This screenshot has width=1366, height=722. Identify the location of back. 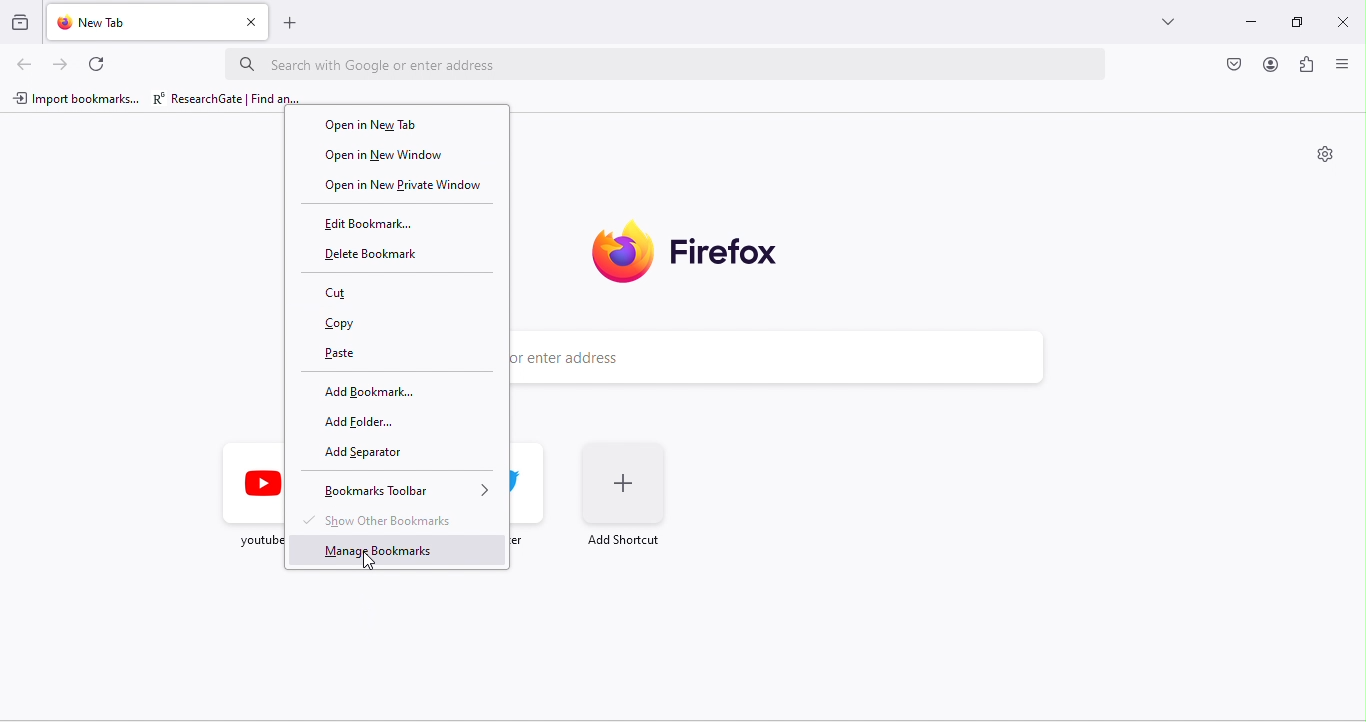
(27, 65).